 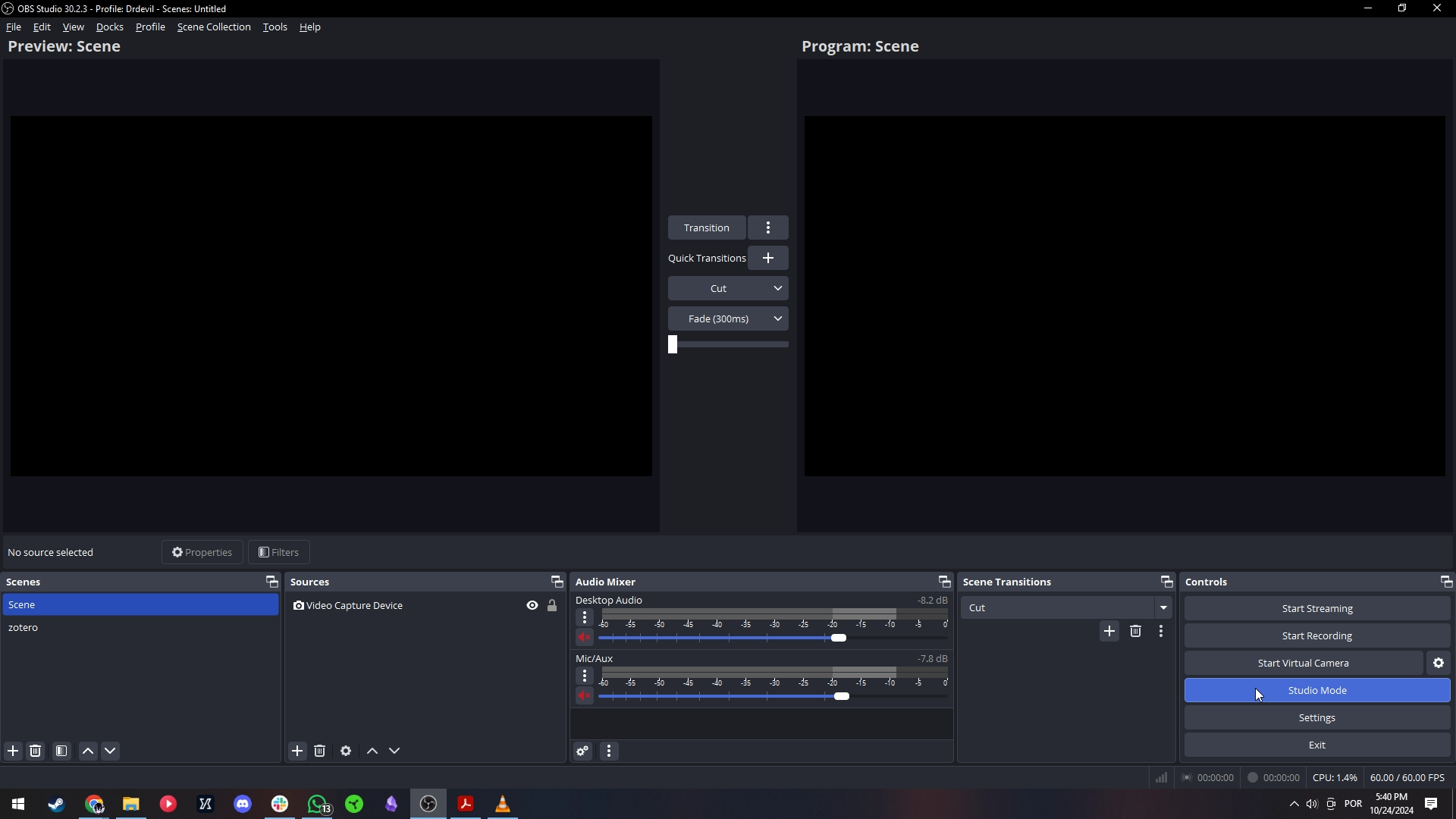 I want to click on Fps, so click(x=1624, y=899).